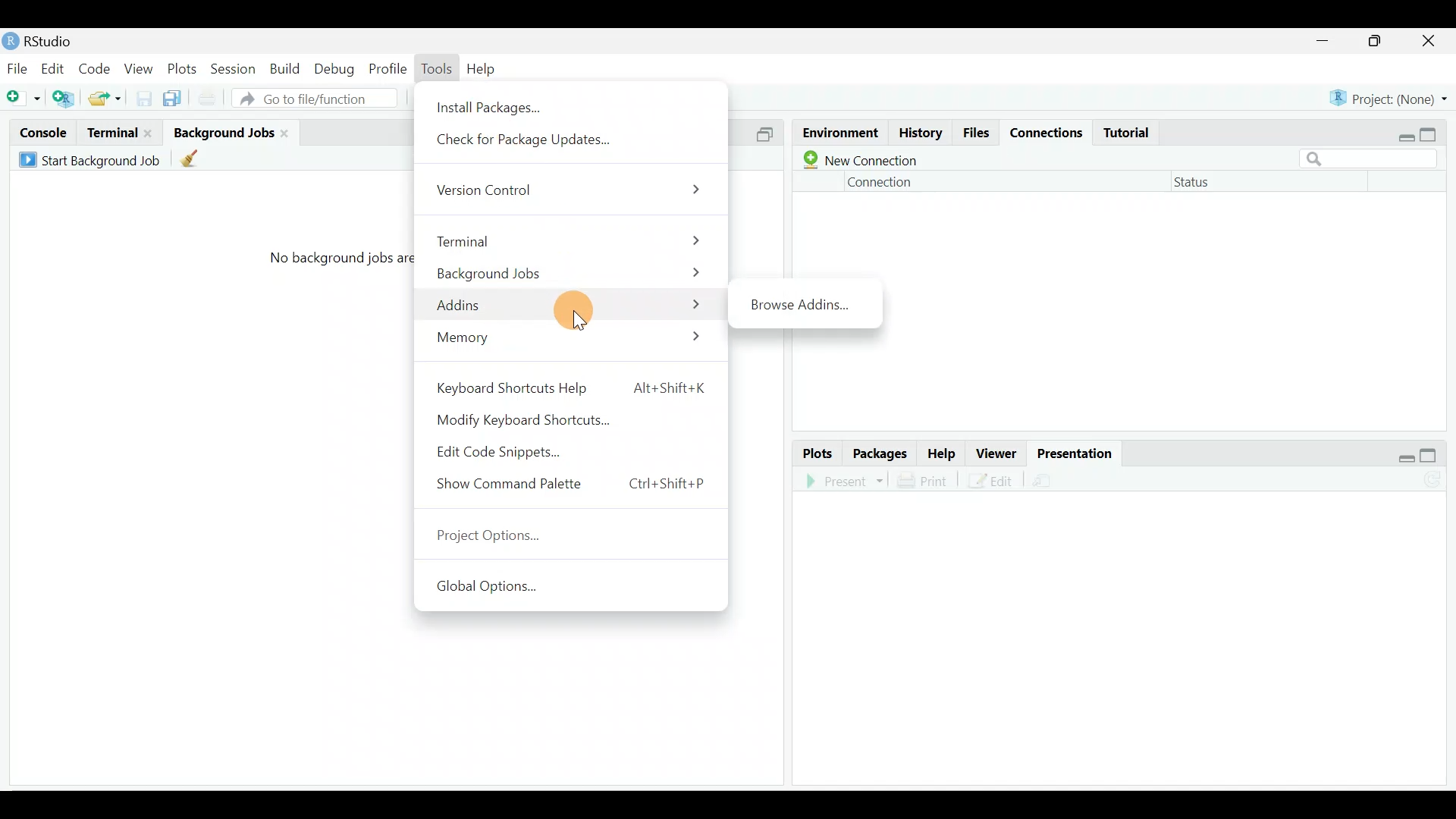 The width and height of the screenshot is (1456, 819). What do you see at coordinates (209, 99) in the screenshot?
I see `Print current file` at bounding box center [209, 99].